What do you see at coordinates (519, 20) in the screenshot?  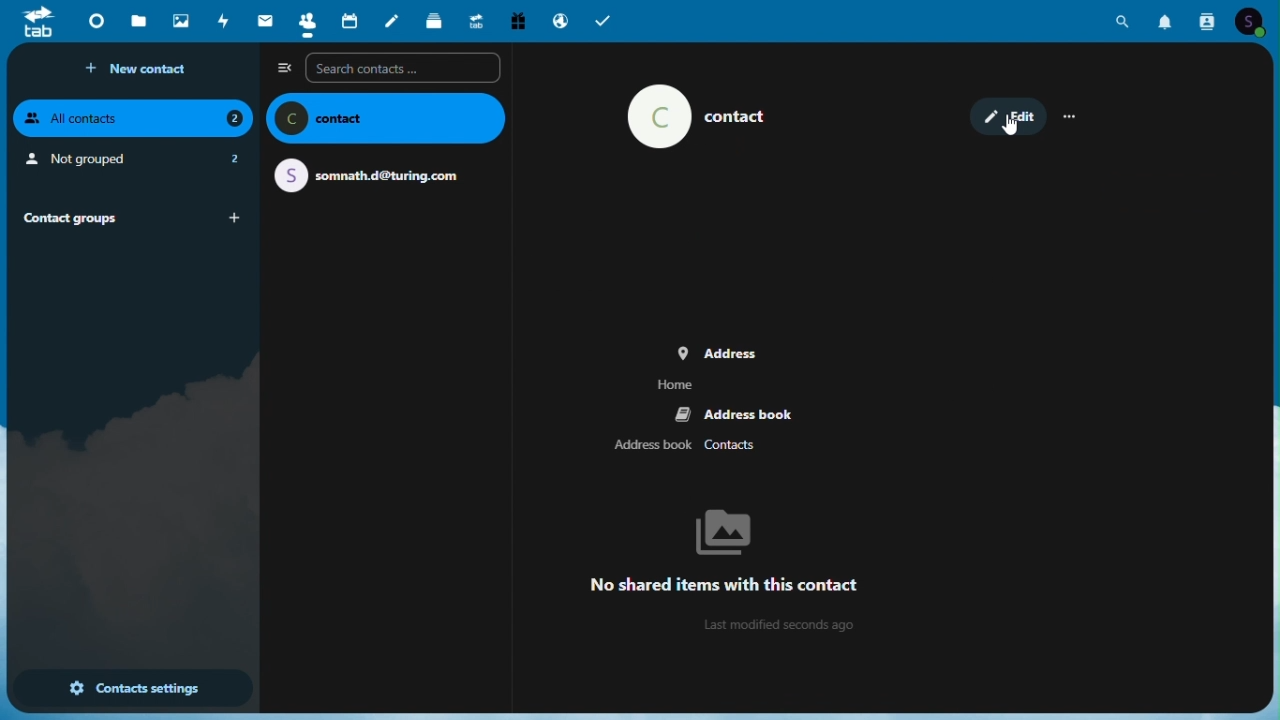 I see `free trial` at bounding box center [519, 20].